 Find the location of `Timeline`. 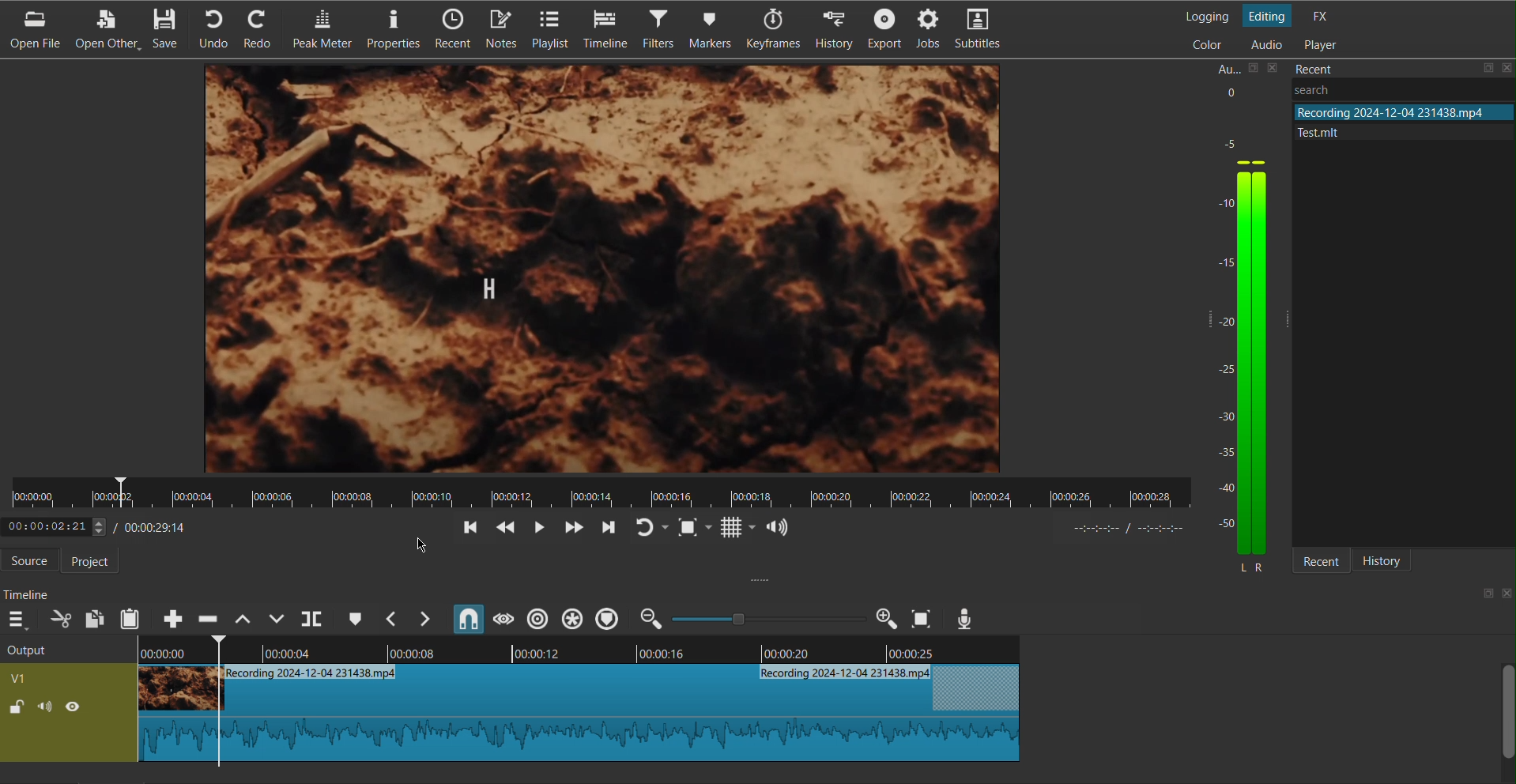

Timeline is located at coordinates (605, 30).